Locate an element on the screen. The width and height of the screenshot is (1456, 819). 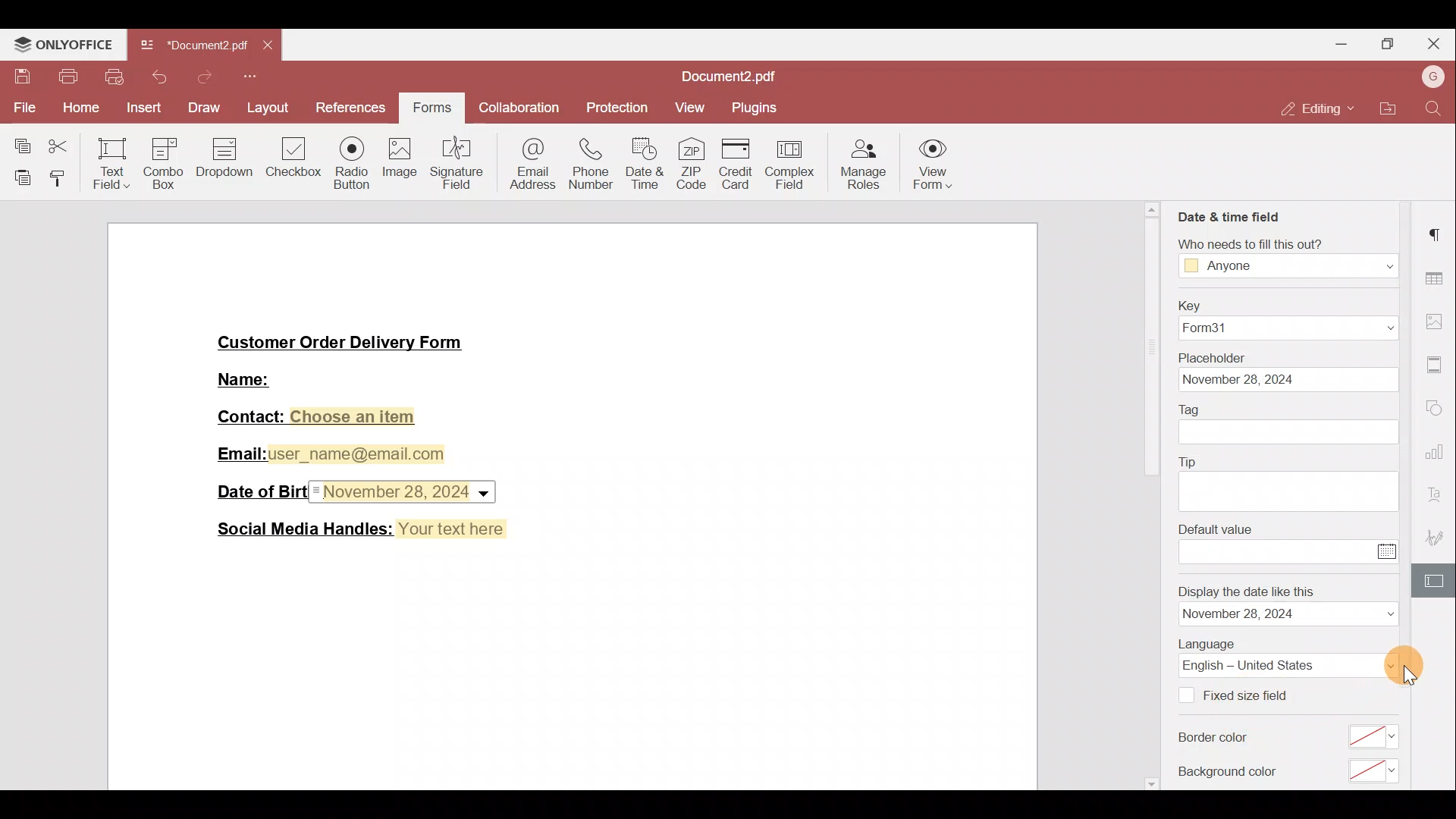
Placeholder is located at coordinates (1213, 358).